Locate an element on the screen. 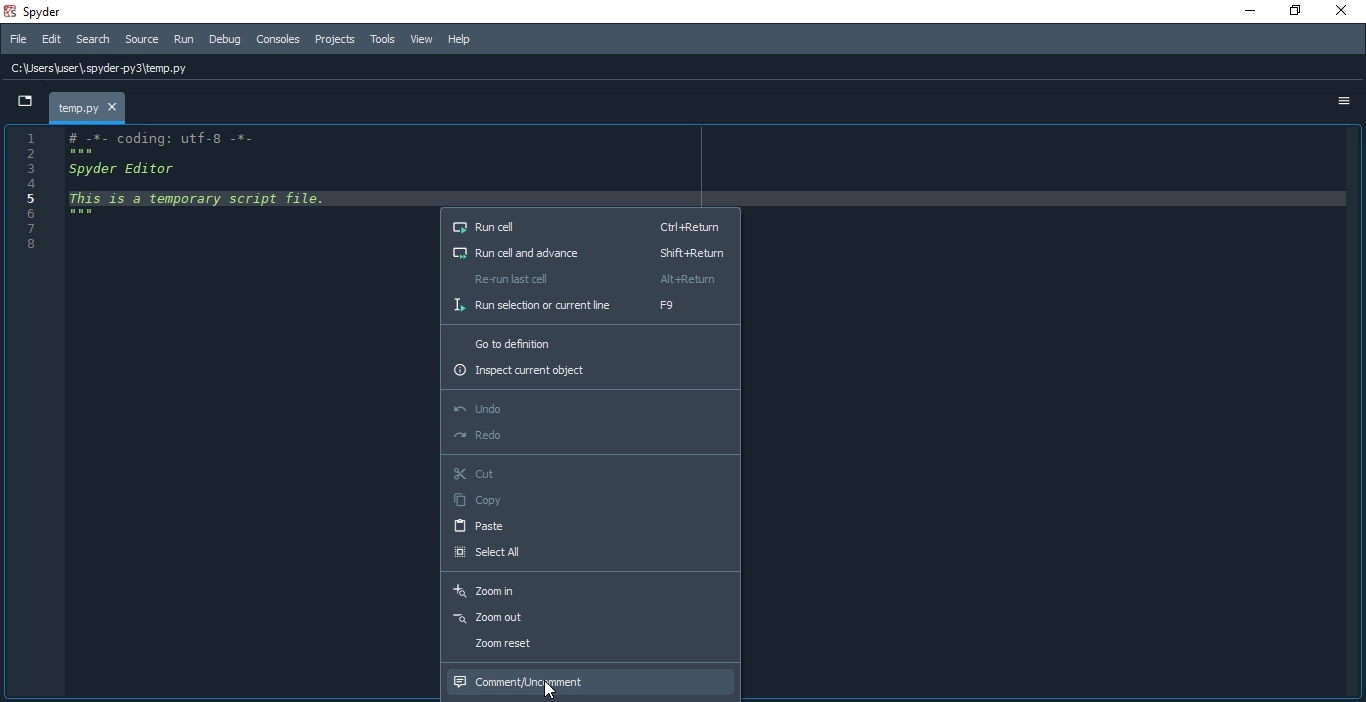  Projects is located at coordinates (335, 41).